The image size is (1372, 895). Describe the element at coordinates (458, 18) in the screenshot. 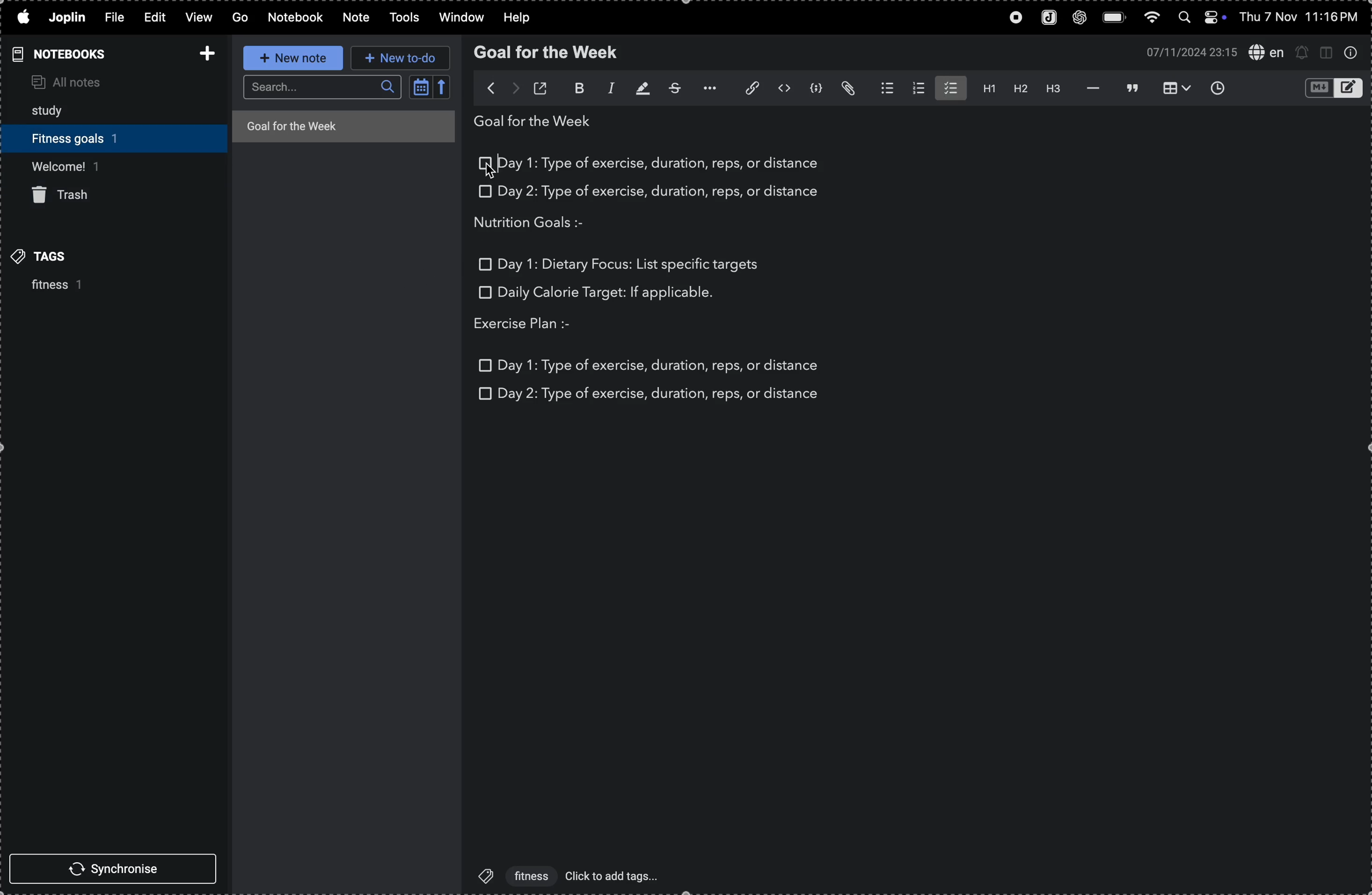

I see `window` at that location.